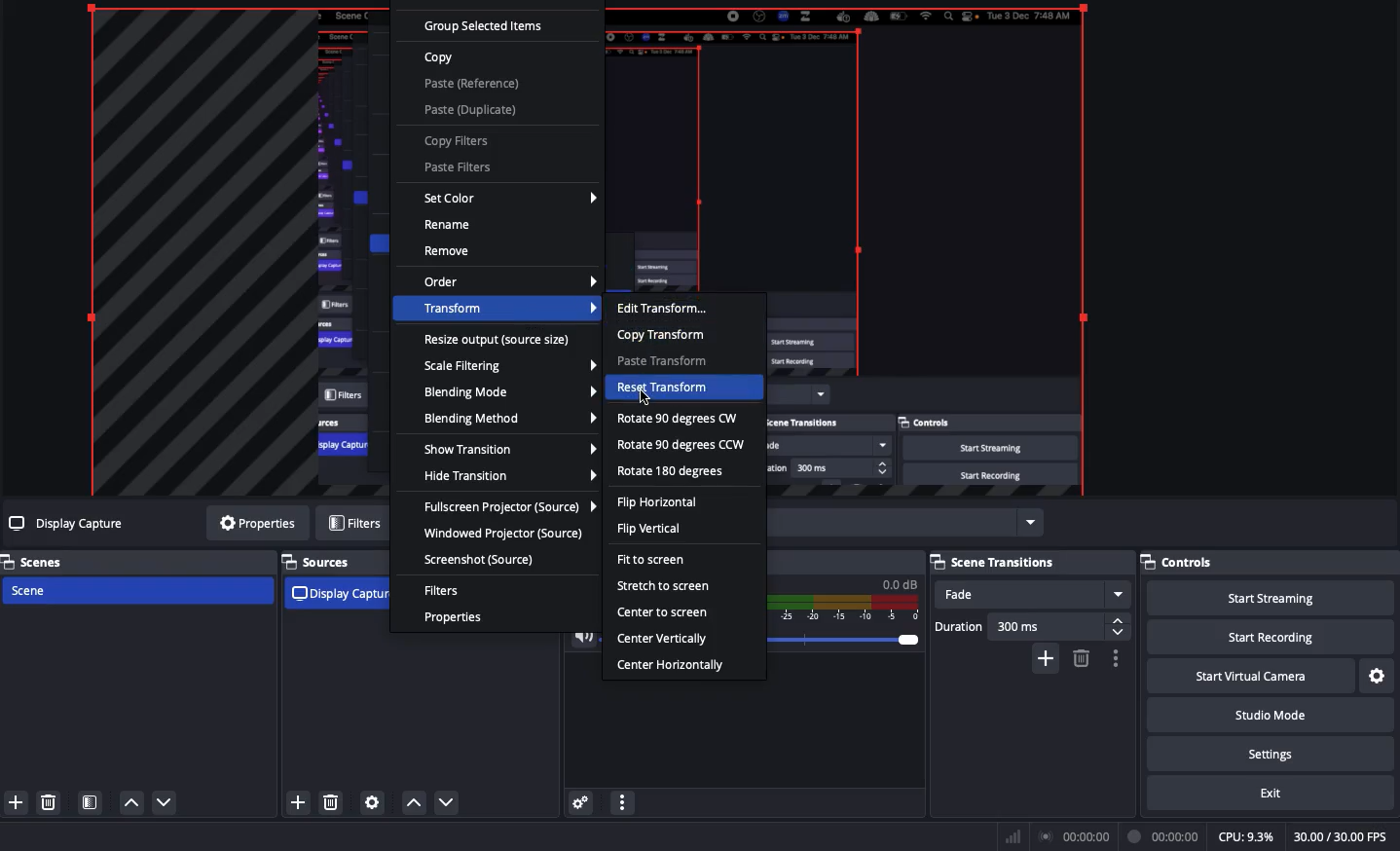 The height and width of the screenshot is (851, 1400). I want to click on Rotate 90 degrees, so click(682, 421).